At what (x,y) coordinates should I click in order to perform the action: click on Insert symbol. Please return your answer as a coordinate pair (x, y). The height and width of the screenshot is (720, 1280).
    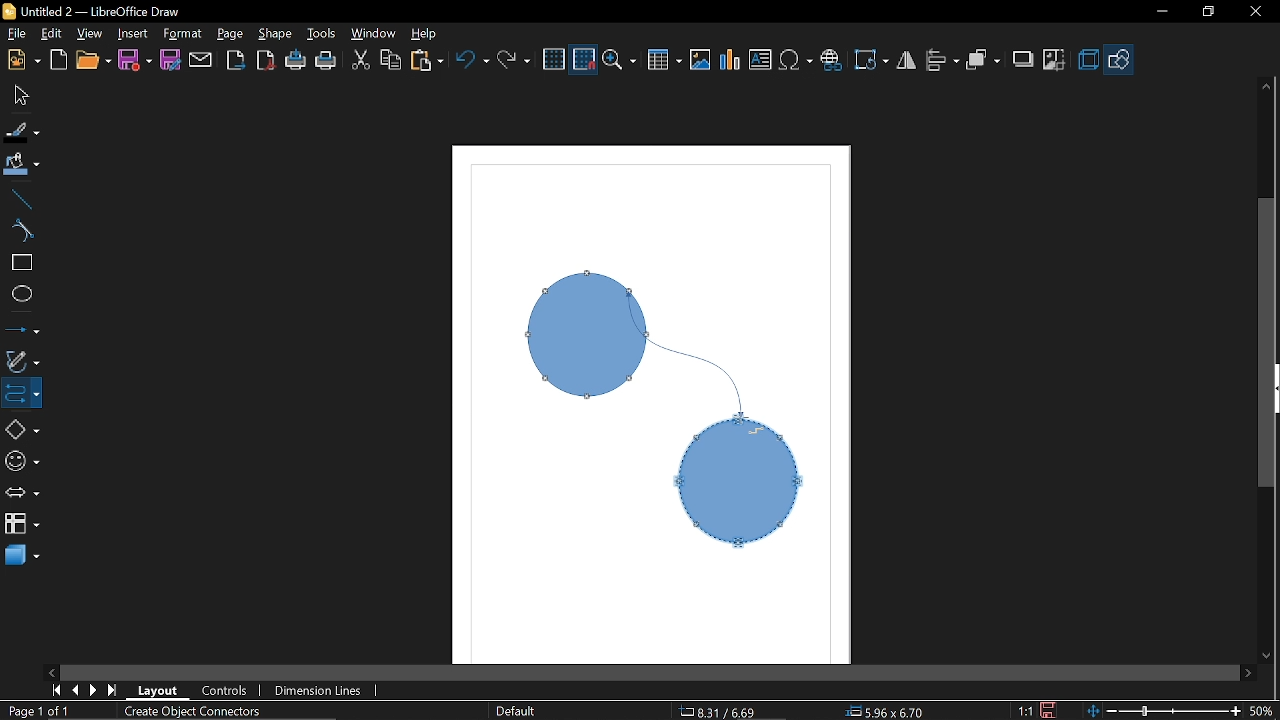
    Looking at the image, I should click on (796, 61).